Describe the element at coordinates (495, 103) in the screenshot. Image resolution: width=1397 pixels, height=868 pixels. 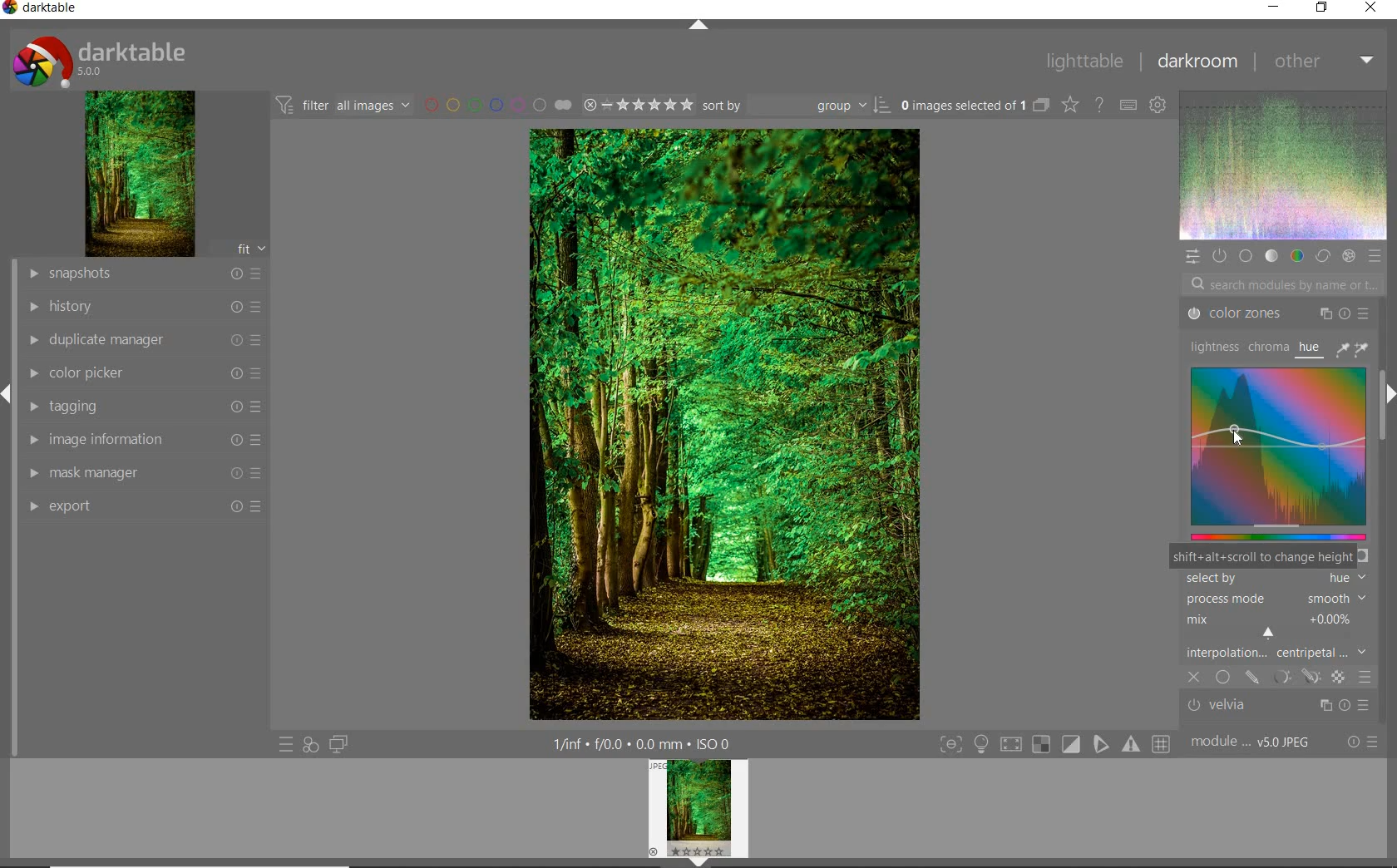
I see `FILTER BY IMAGE COLOR LABEL` at that location.